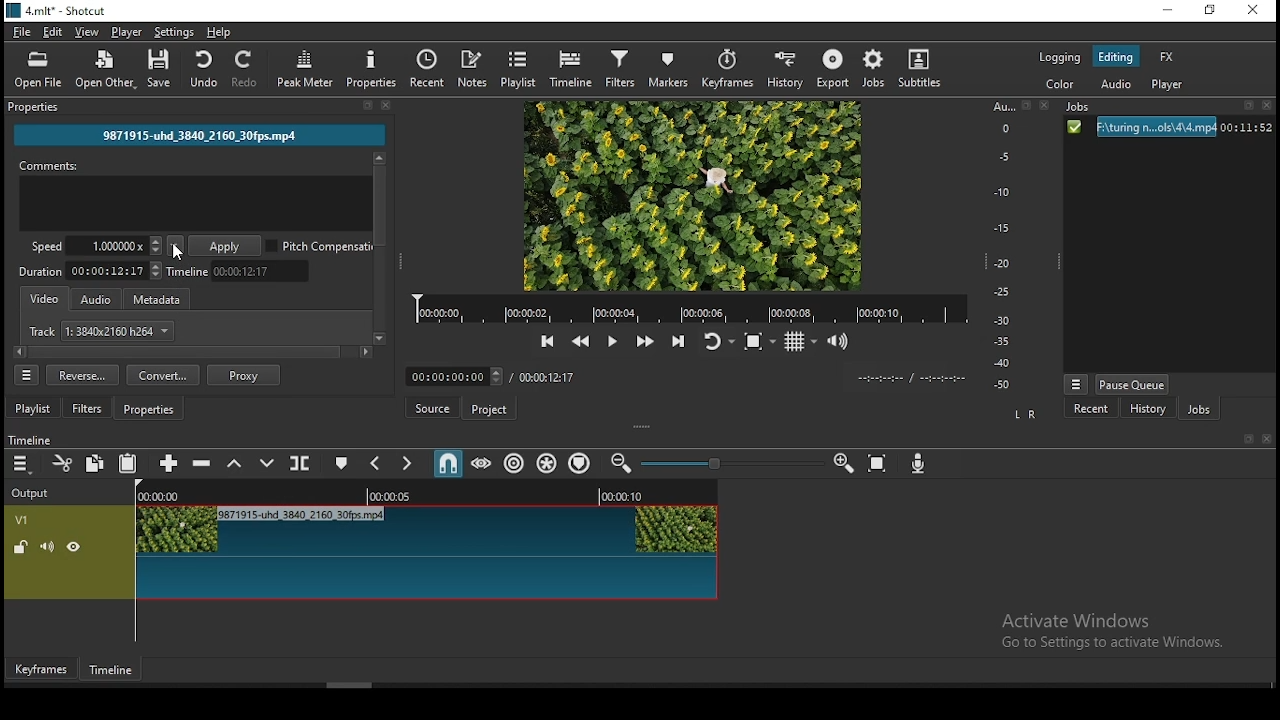  Describe the element at coordinates (1115, 87) in the screenshot. I see `audio` at that location.